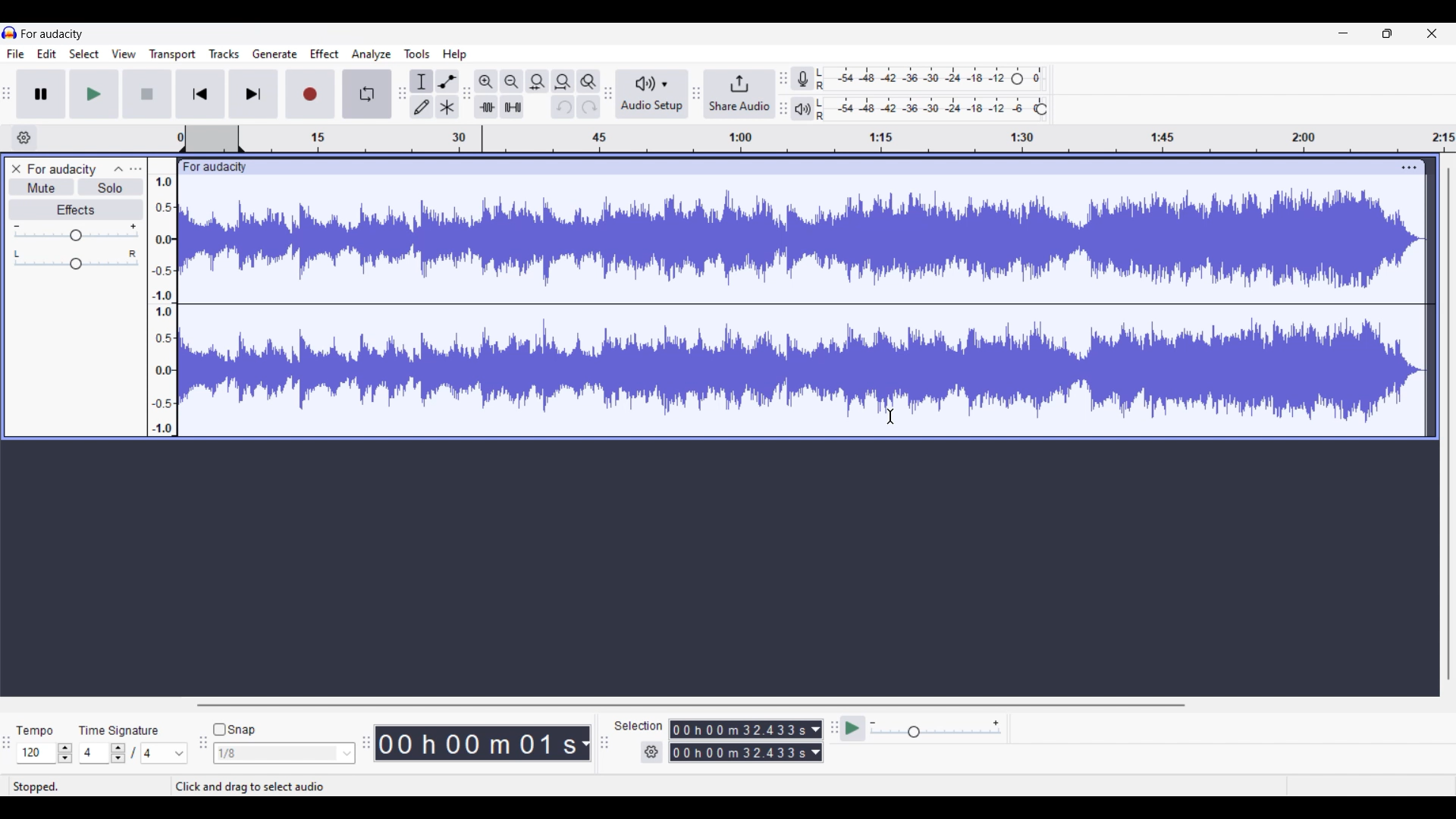 This screenshot has height=819, width=1456. What do you see at coordinates (422, 81) in the screenshot?
I see `Selection tool` at bounding box center [422, 81].